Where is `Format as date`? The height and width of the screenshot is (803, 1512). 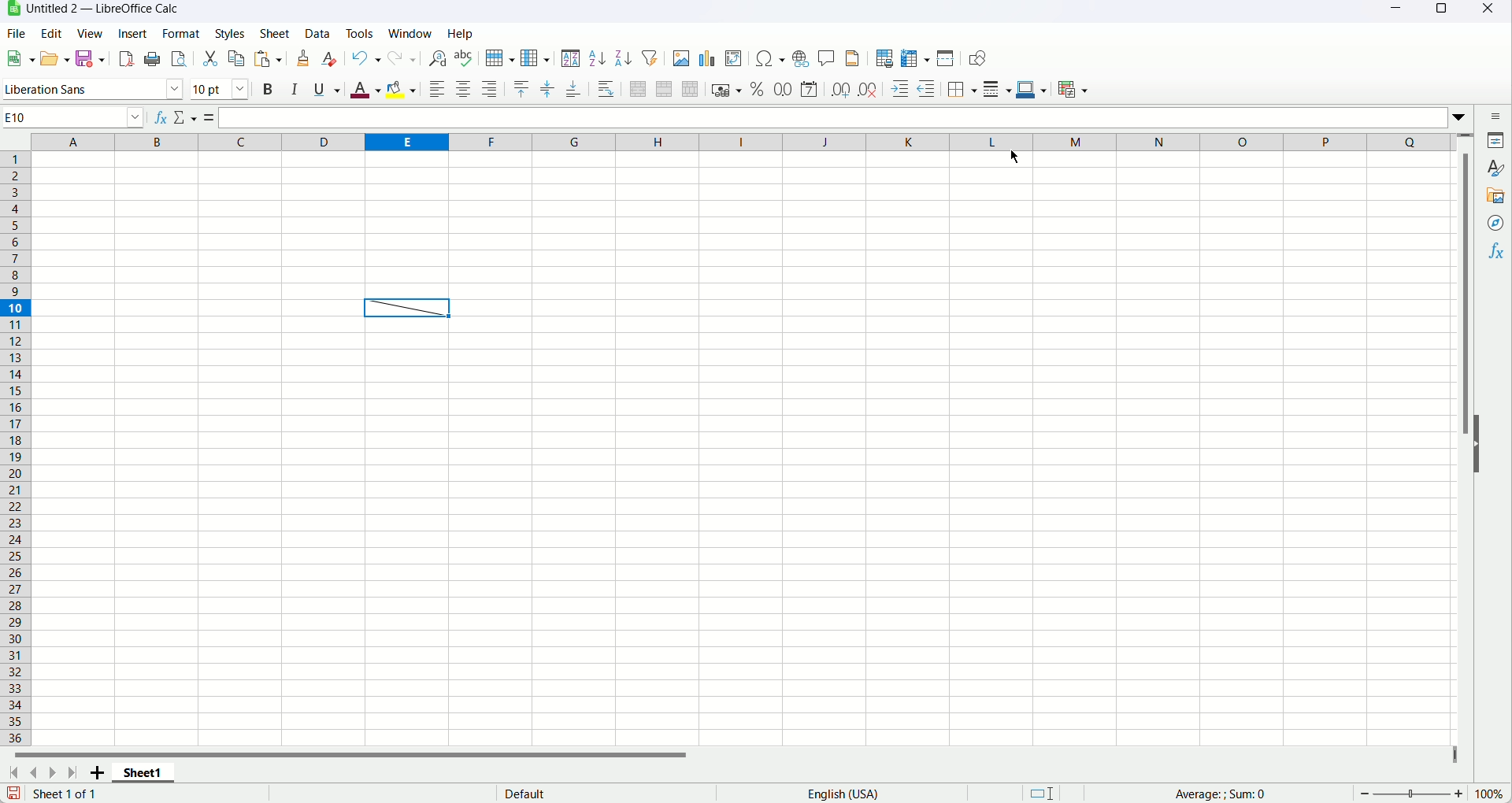 Format as date is located at coordinates (809, 88).